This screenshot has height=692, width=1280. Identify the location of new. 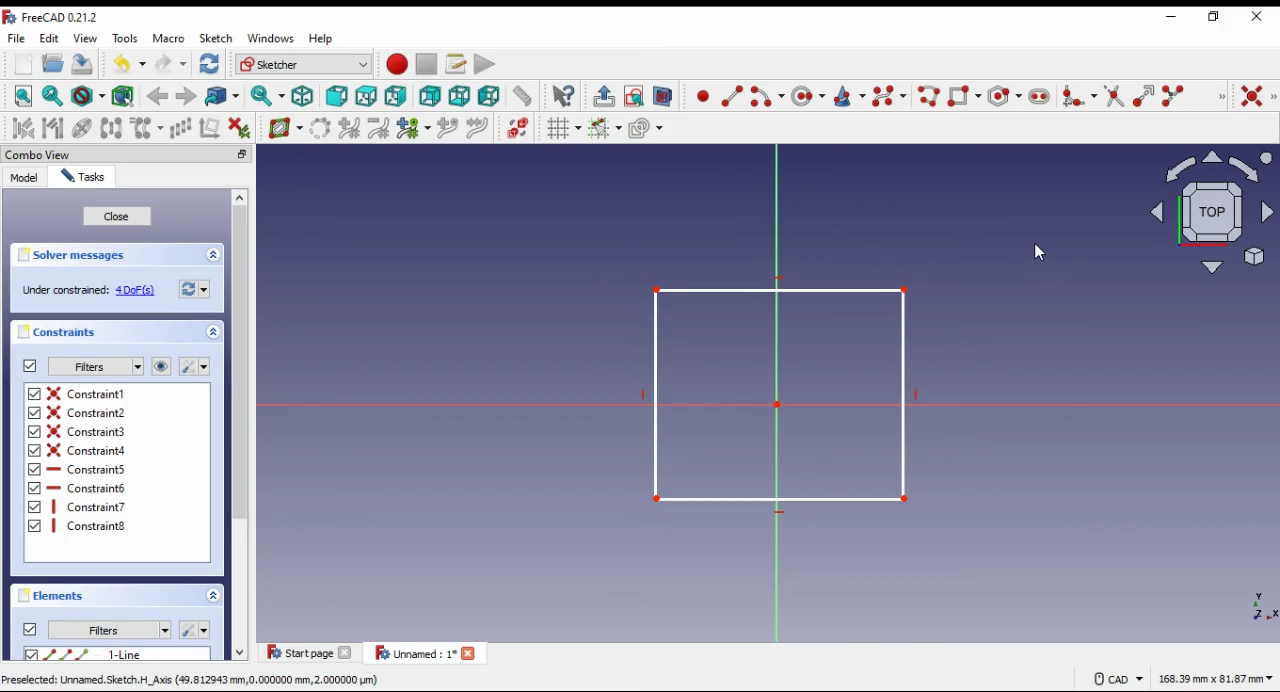
(23, 64).